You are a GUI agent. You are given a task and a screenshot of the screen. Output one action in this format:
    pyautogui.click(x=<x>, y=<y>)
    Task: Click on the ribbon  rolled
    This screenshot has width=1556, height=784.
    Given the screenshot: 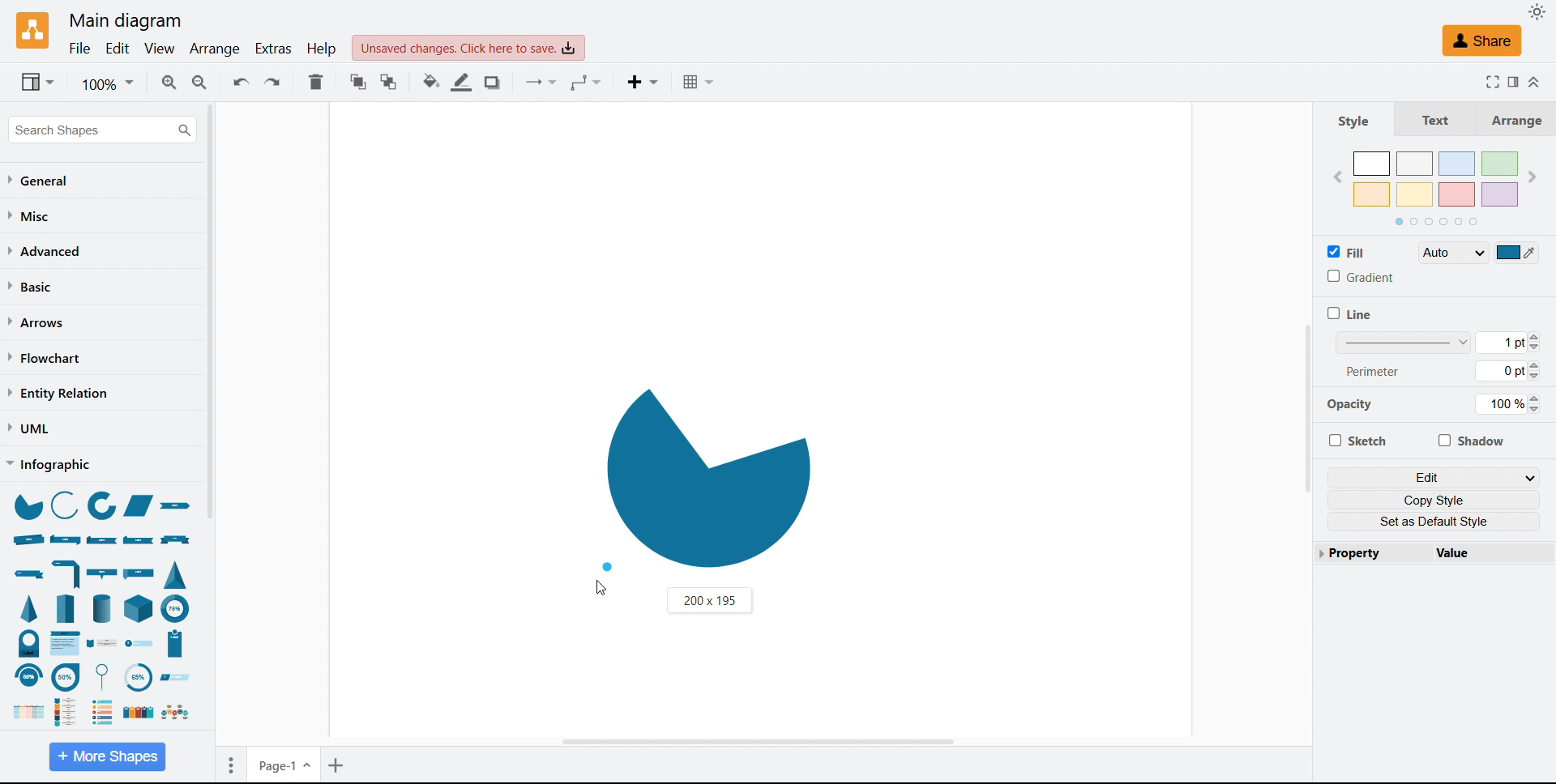 What is the action you would take?
    pyautogui.click(x=28, y=539)
    